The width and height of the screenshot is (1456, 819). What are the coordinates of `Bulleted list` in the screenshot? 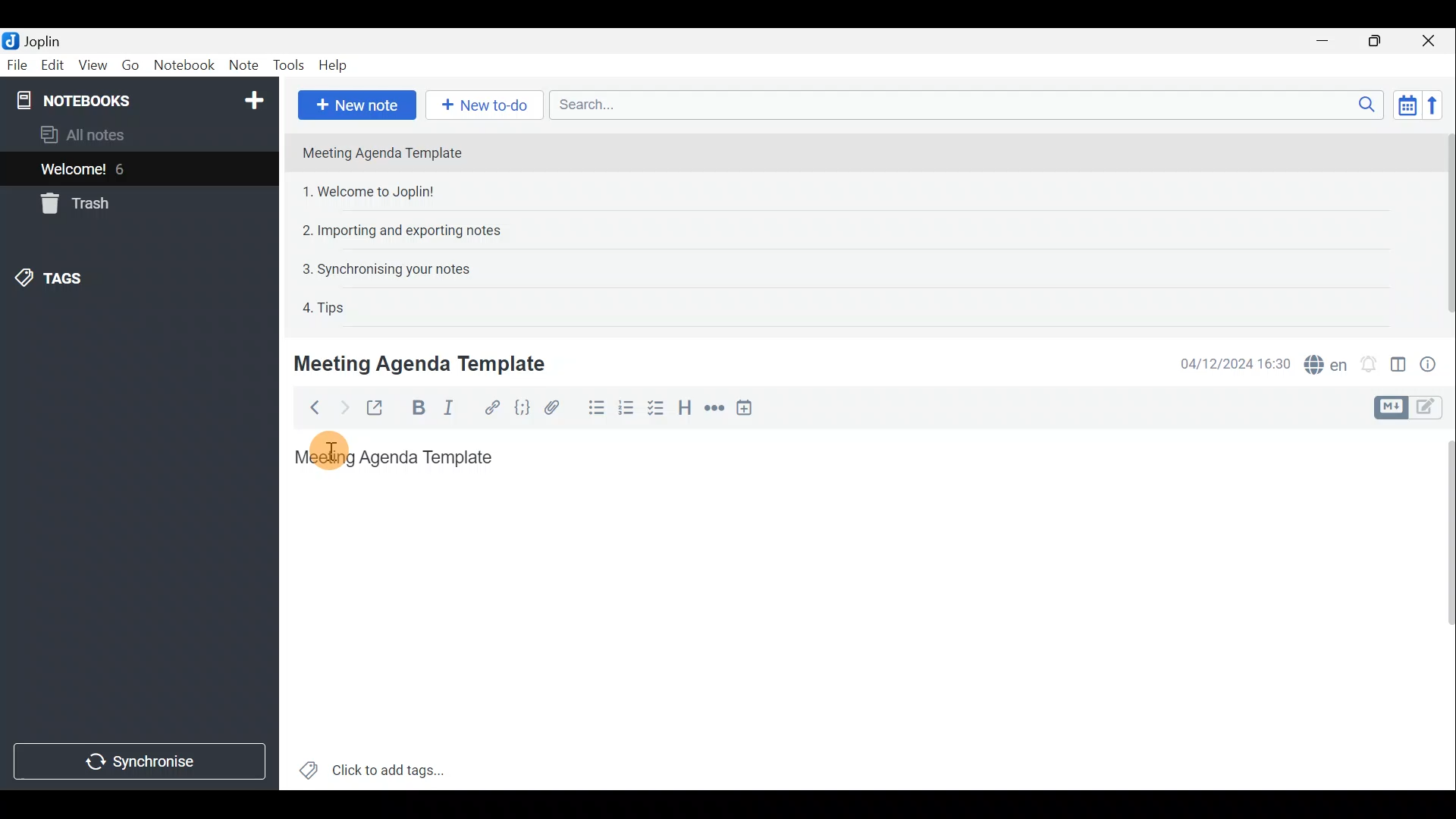 It's located at (595, 408).